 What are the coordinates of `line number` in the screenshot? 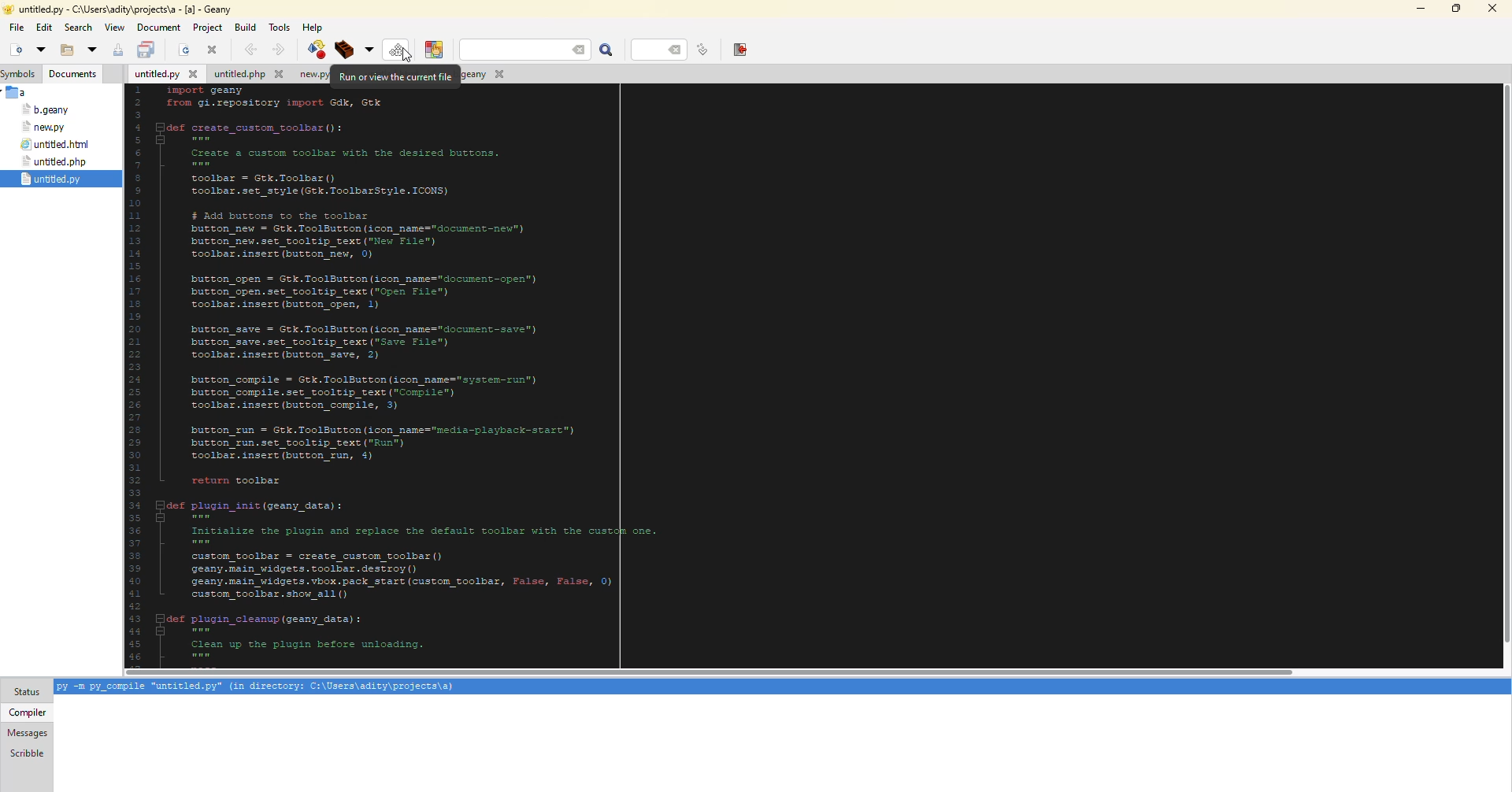 It's located at (705, 49).